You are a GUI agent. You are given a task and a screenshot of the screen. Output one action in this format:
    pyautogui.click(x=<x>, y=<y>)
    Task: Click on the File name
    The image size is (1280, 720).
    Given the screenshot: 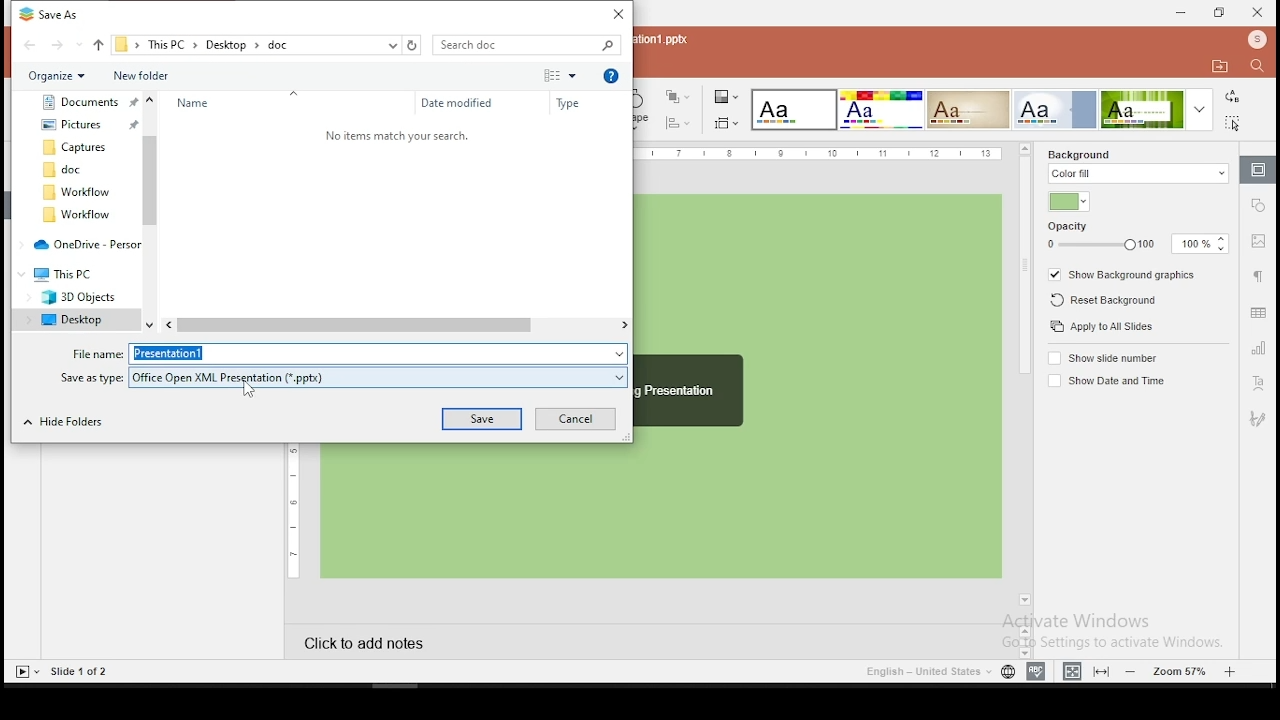 What is the action you would take?
    pyautogui.click(x=94, y=352)
    